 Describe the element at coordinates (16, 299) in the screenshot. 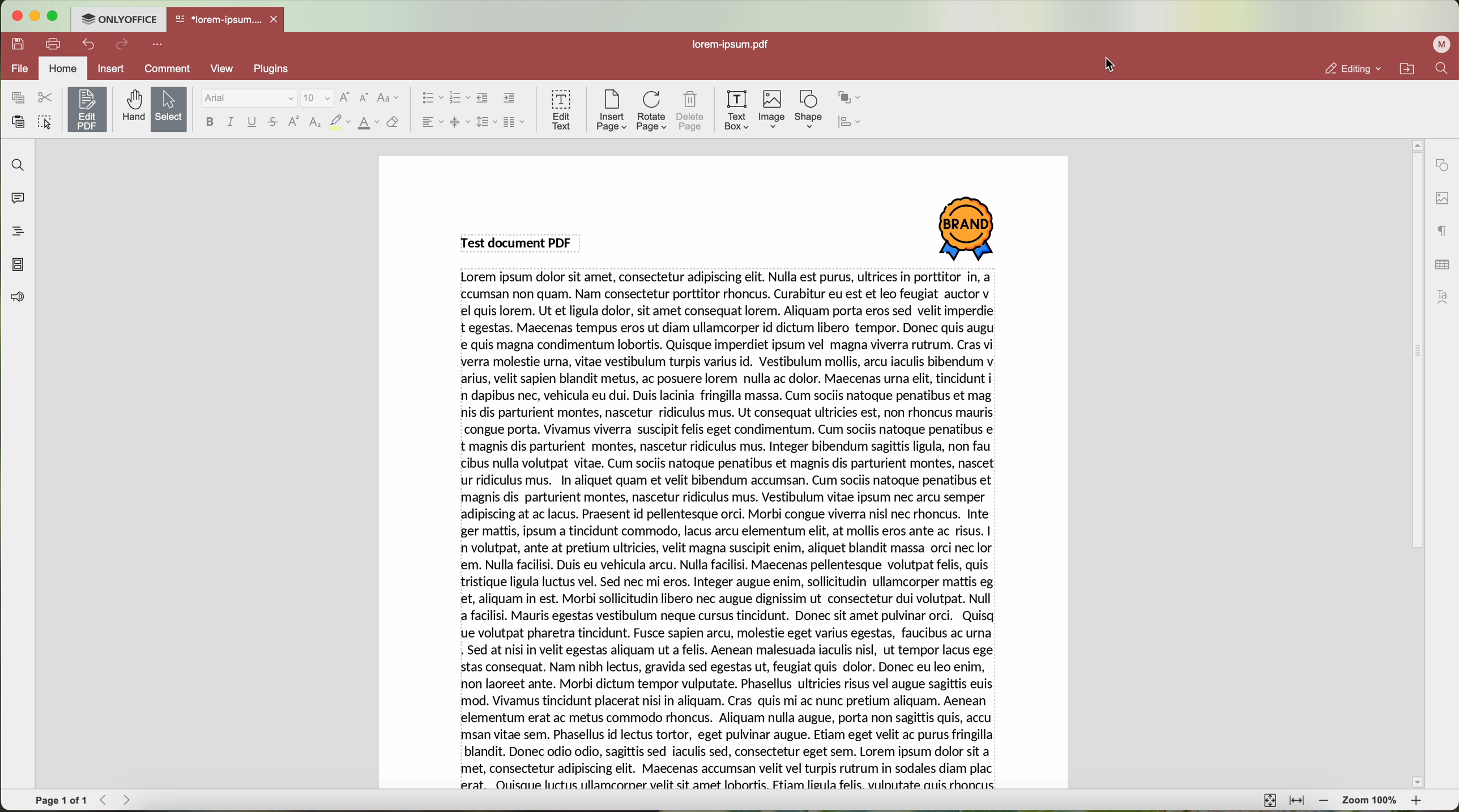

I see `feedback & support` at that location.